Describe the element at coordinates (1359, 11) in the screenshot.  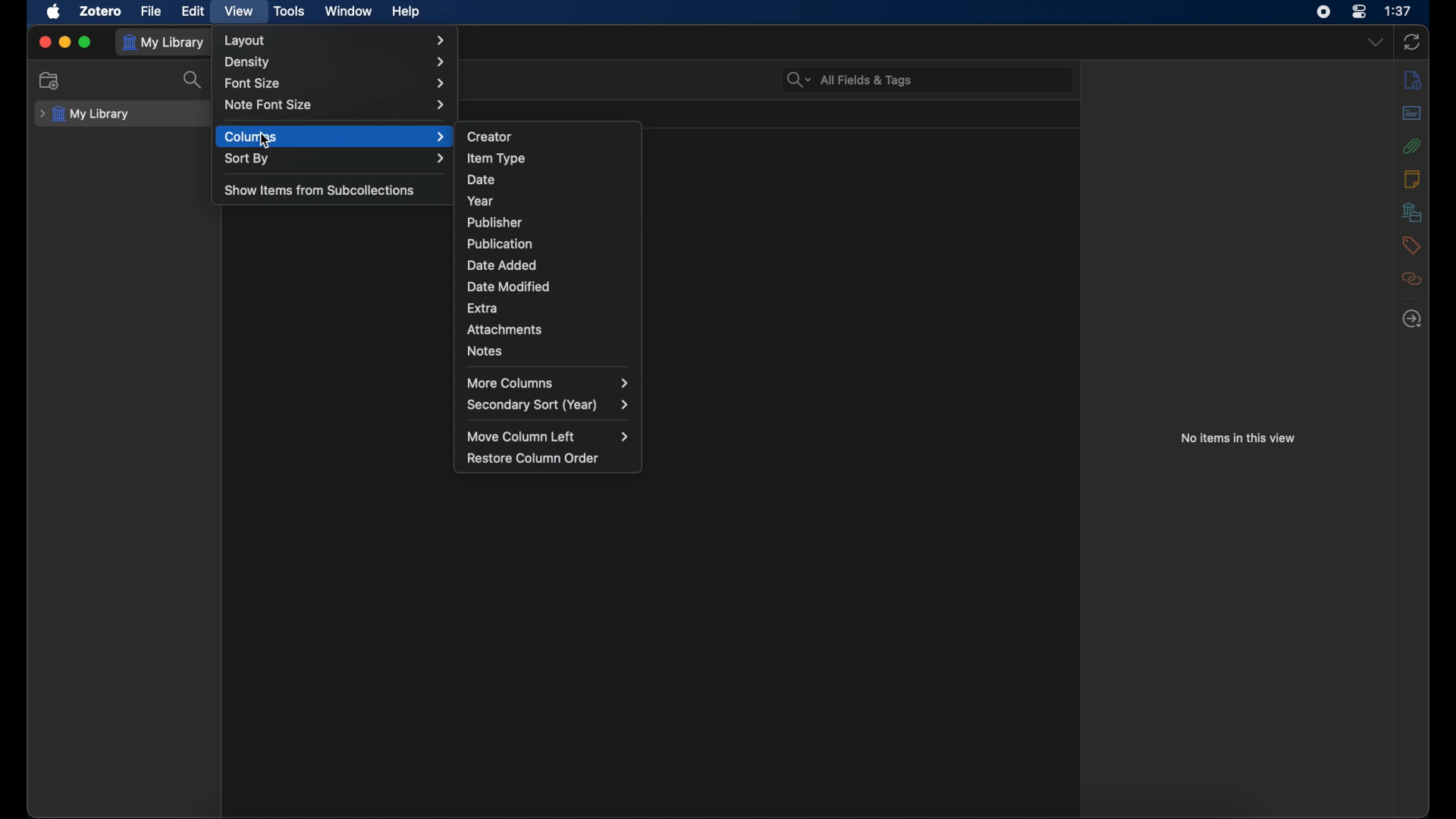
I see `control center` at that location.